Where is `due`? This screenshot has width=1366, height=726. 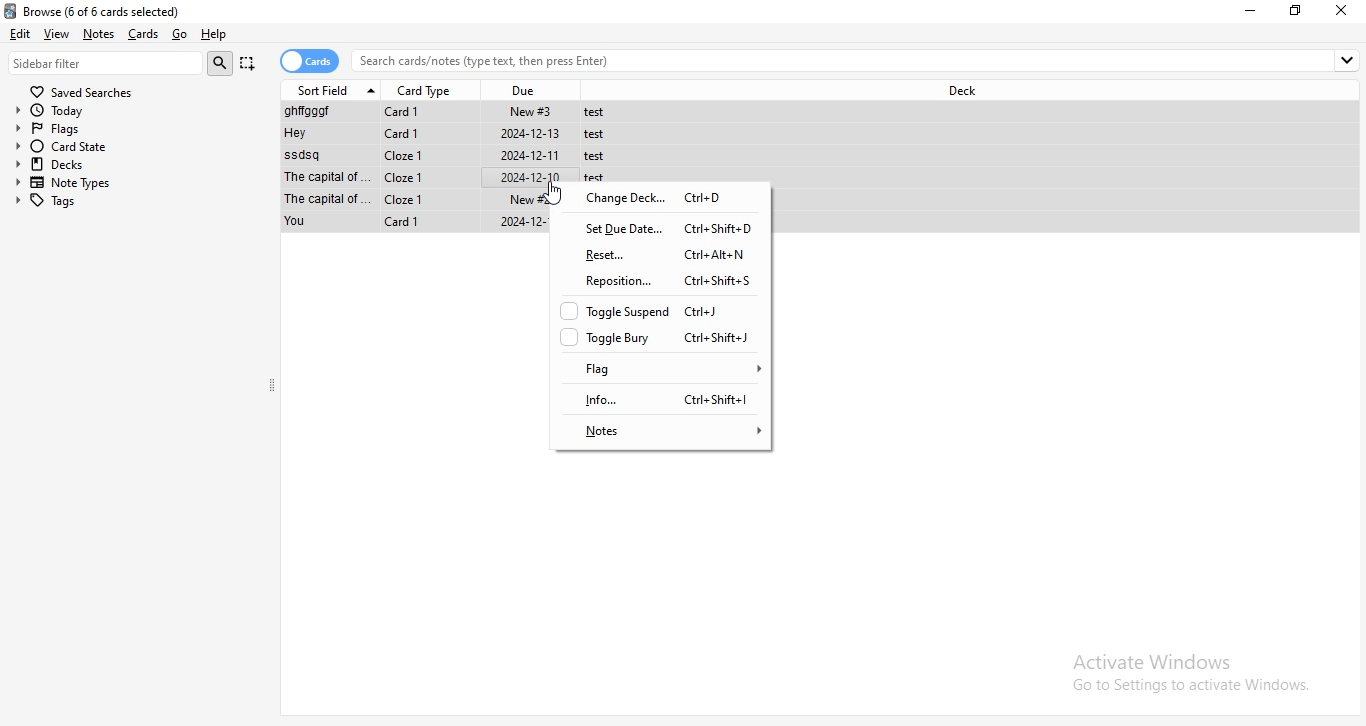 due is located at coordinates (530, 88).